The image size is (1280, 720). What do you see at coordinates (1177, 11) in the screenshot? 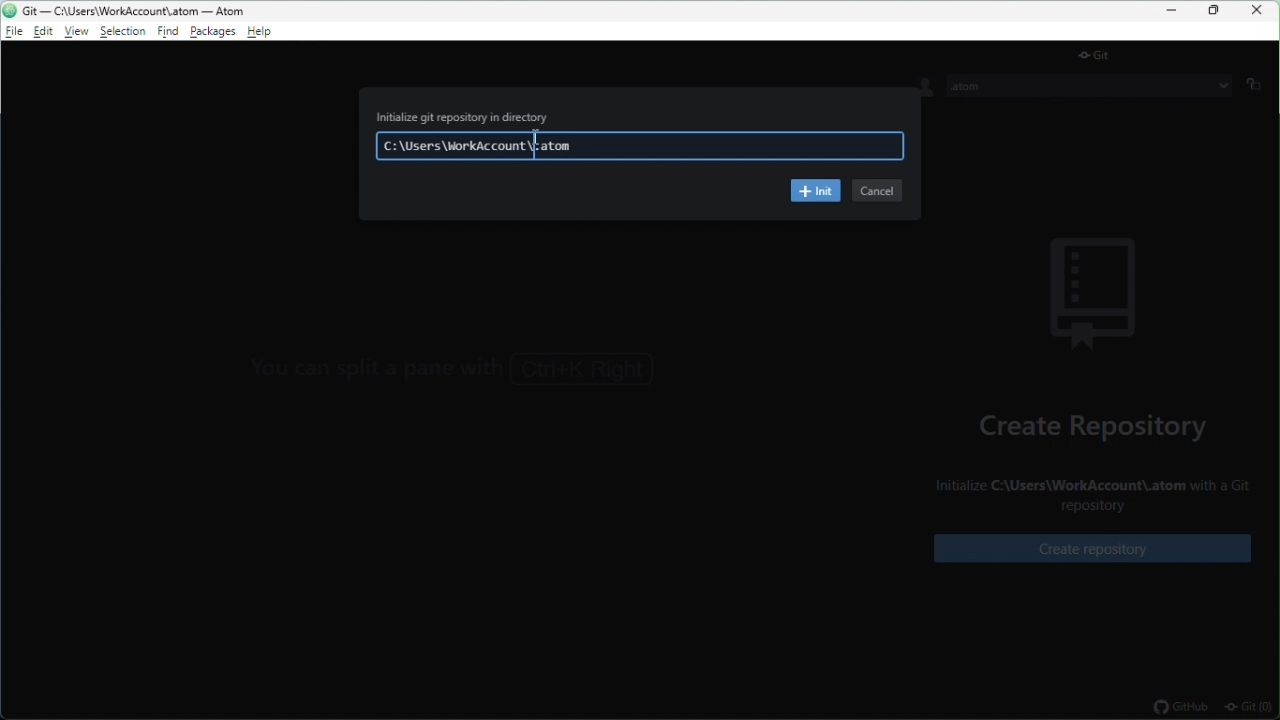
I see `minimize` at bounding box center [1177, 11].